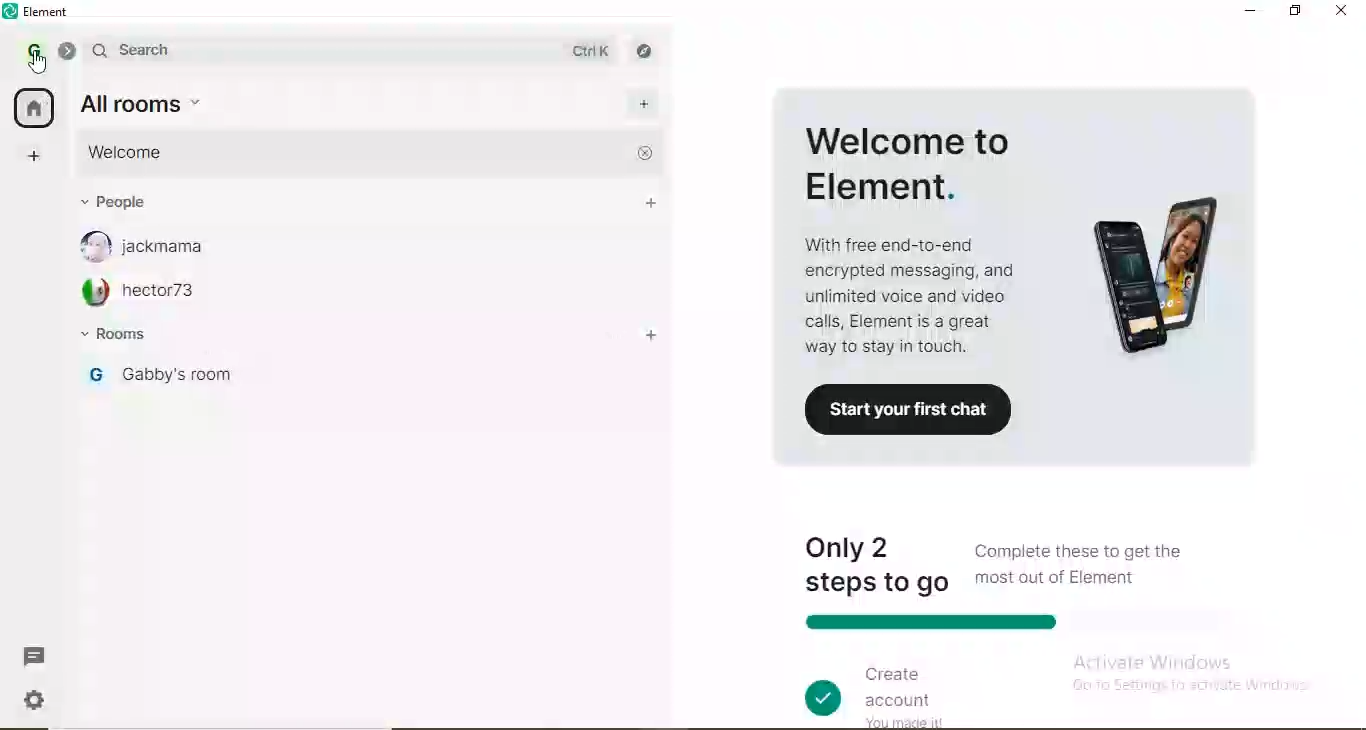 The image size is (1366, 730). Describe the element at coordinates (271, 52) in the screenshot. I see `search bar` at that location.